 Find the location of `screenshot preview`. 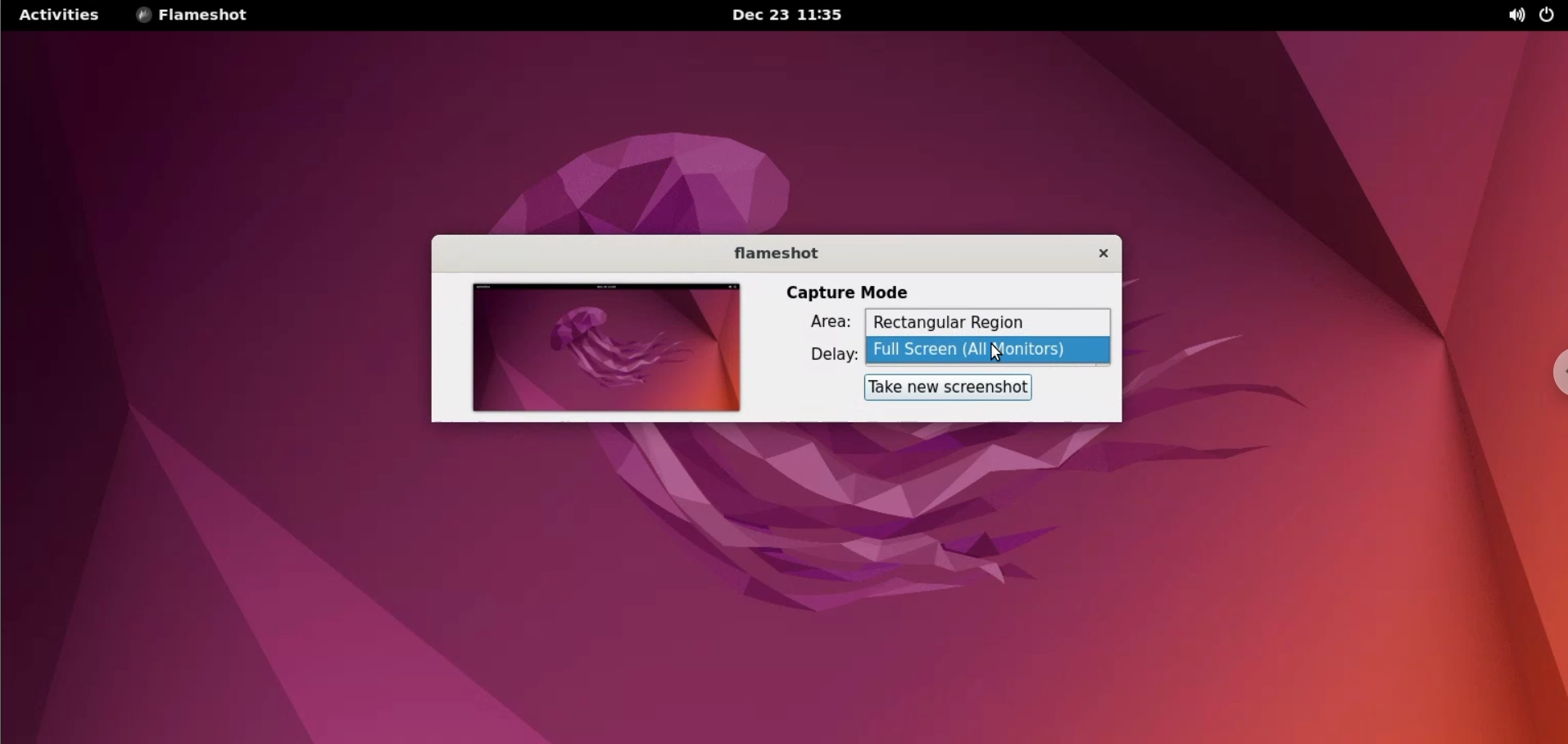

screenshot preview is located at coordinates (603, 350).